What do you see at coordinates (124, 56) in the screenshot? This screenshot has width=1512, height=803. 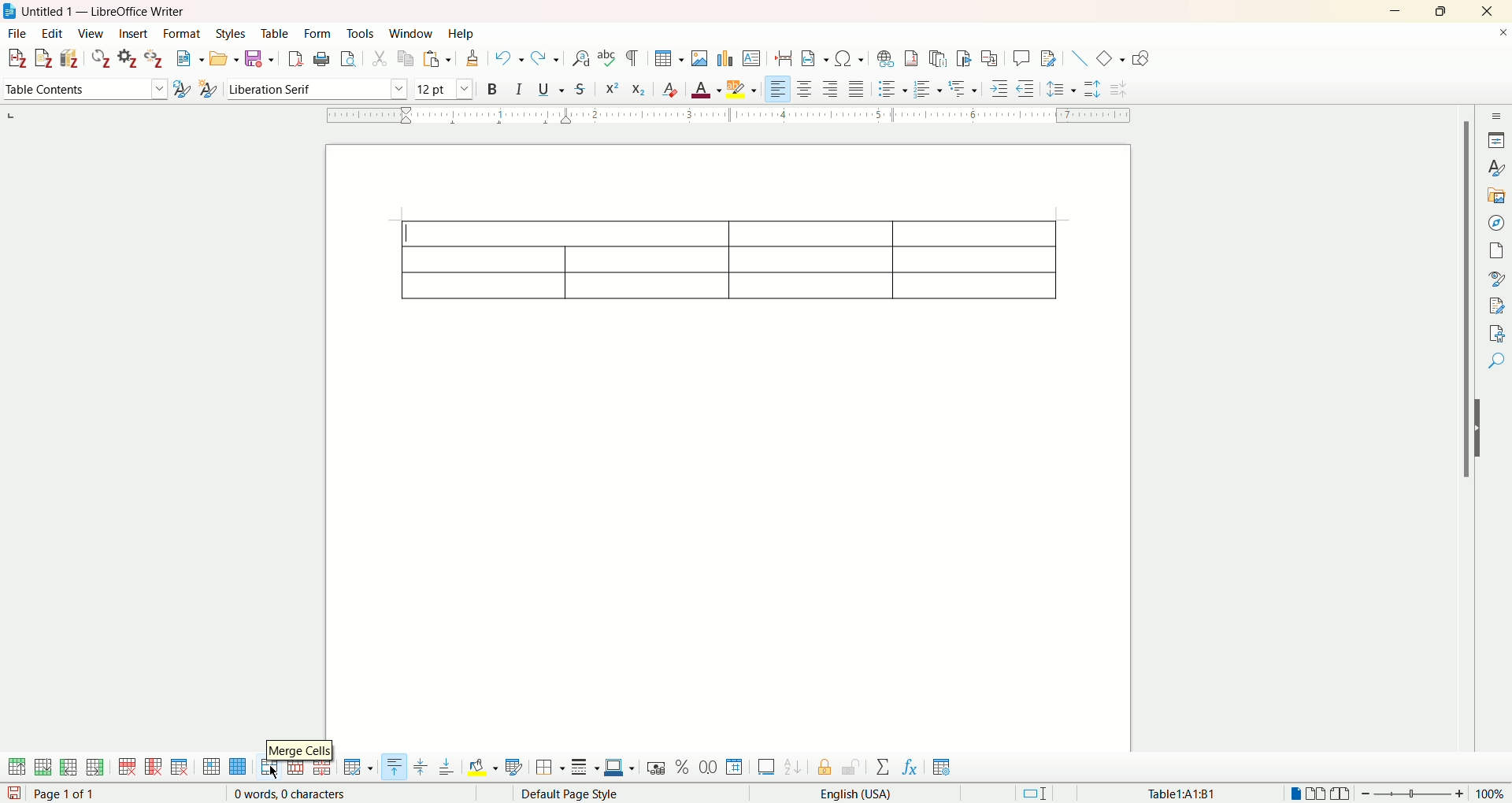 I see `document preferences` at bounding box center [124, 56].